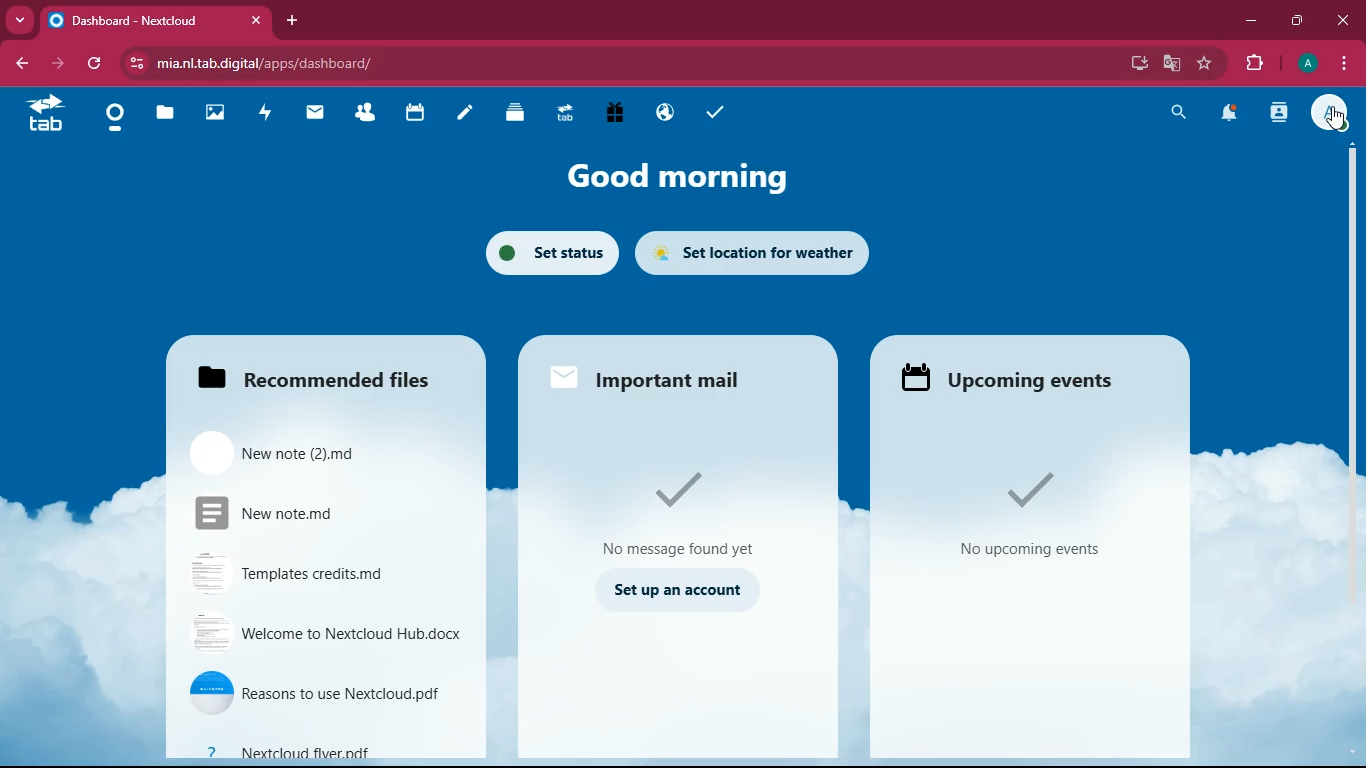 This screenshot has height=768, width=1366. Describe the element at coordinates (94, 63) in the screenshot. I see `refresh` at that location.